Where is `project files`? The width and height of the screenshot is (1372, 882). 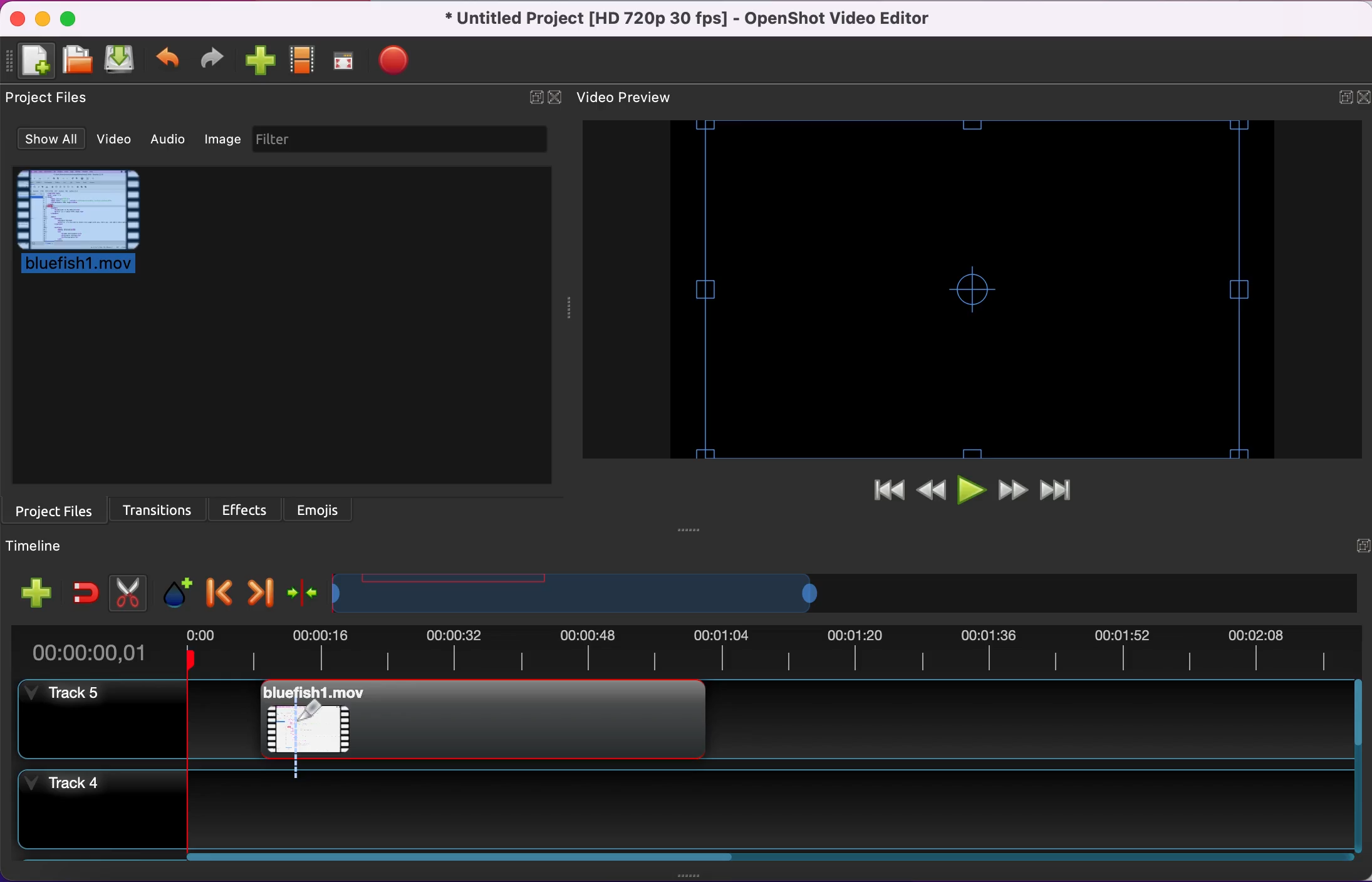 project files is located at coordinates (48, 101).